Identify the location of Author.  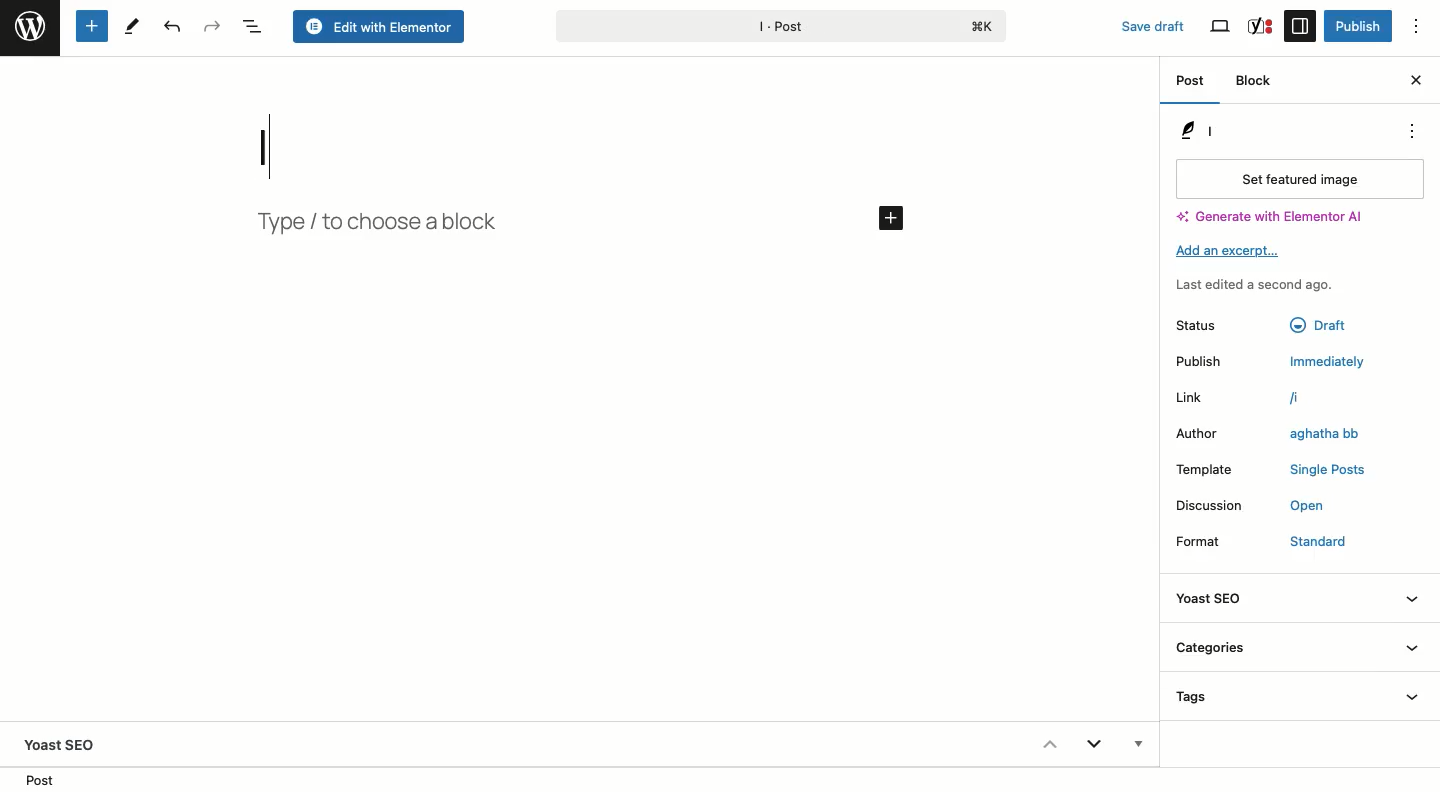
(1199, 432).